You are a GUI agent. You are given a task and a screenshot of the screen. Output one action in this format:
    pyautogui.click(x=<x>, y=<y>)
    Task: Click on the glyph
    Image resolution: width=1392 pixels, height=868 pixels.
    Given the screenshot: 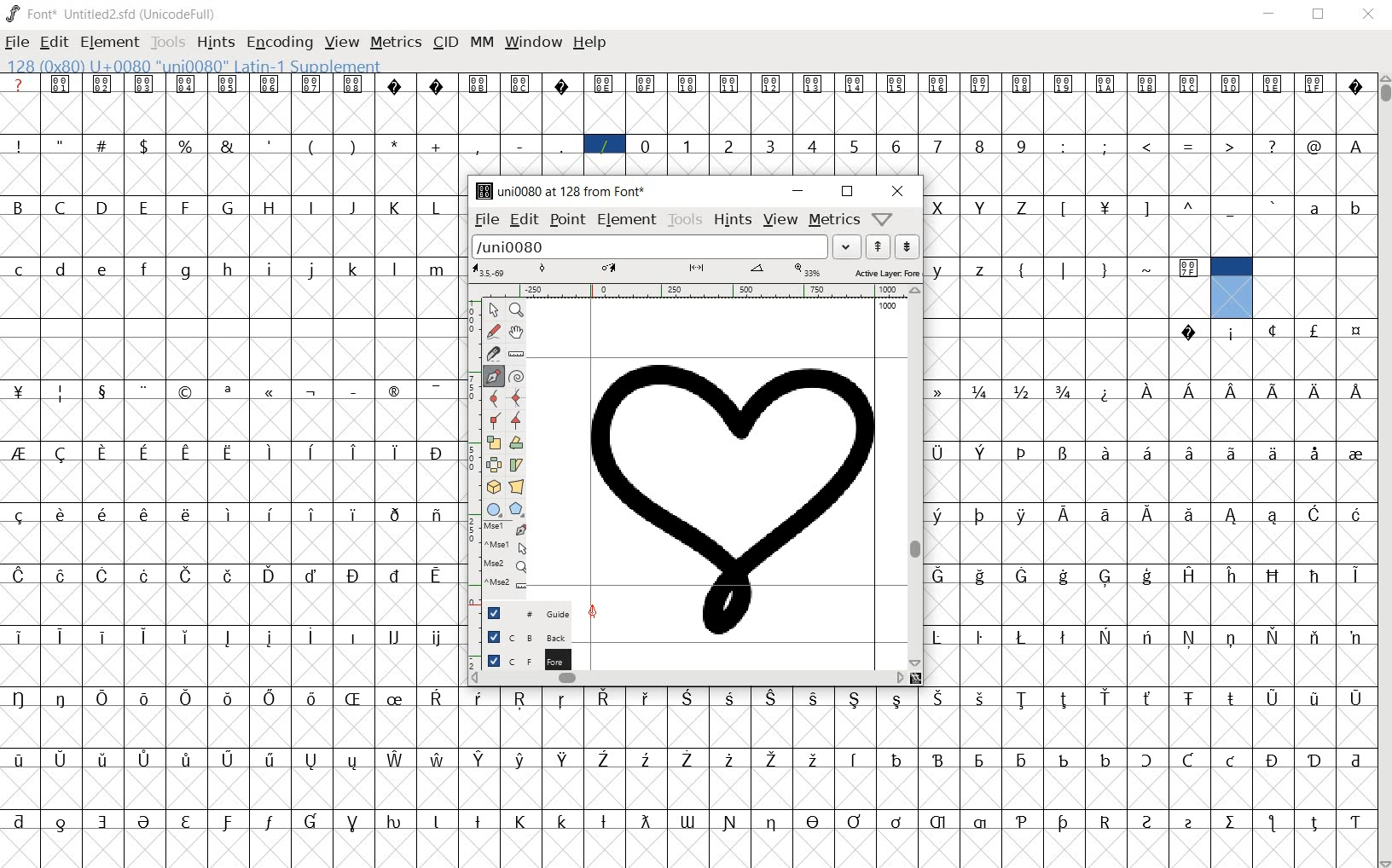 What is the action you would take?
    pyautogui.click(x=310, y=514)
    